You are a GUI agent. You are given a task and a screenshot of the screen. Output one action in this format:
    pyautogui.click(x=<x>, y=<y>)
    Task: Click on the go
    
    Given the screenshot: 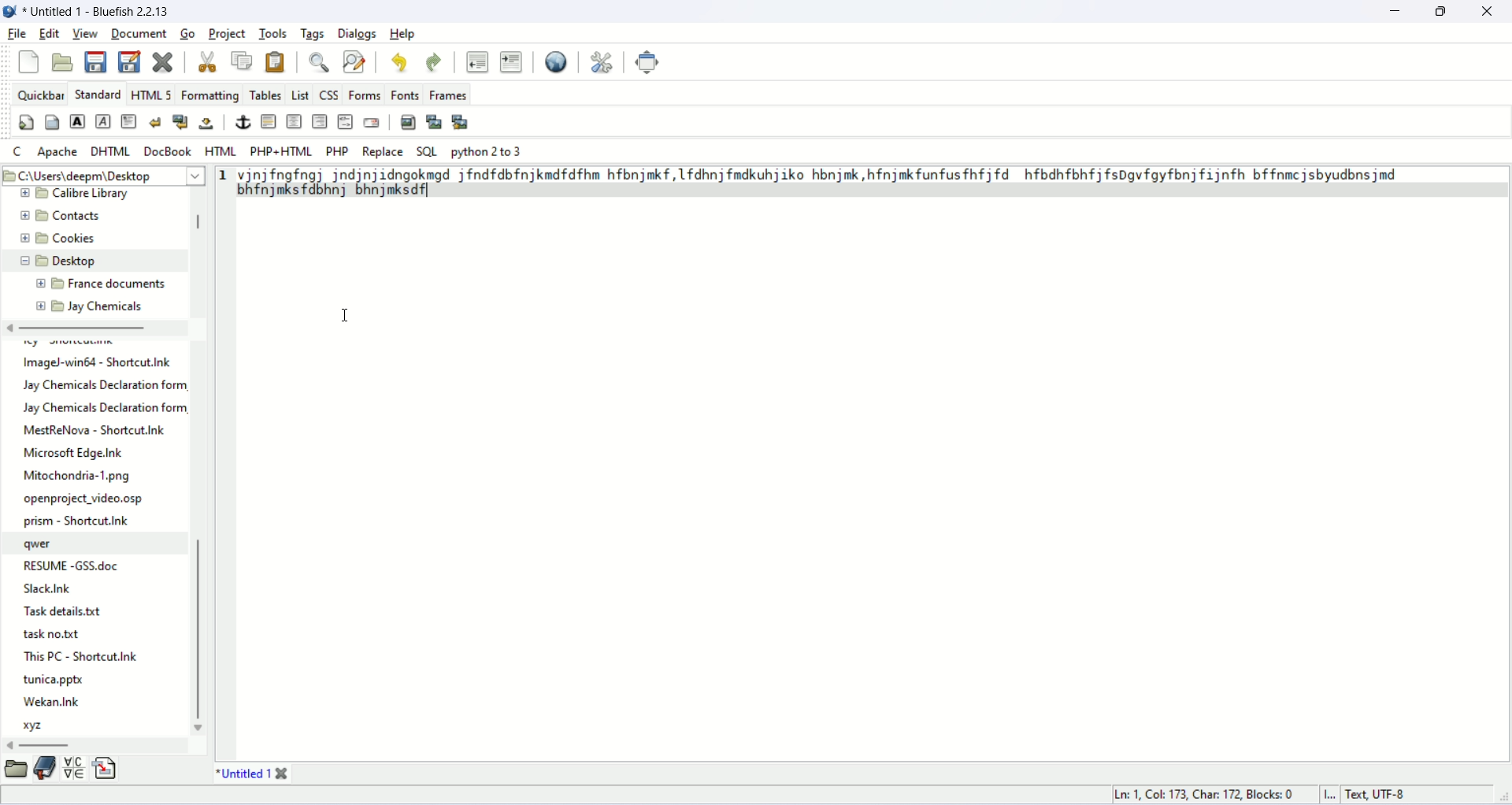 What is the action you would take?
    pyautogui.click(x=187, y=33)
    